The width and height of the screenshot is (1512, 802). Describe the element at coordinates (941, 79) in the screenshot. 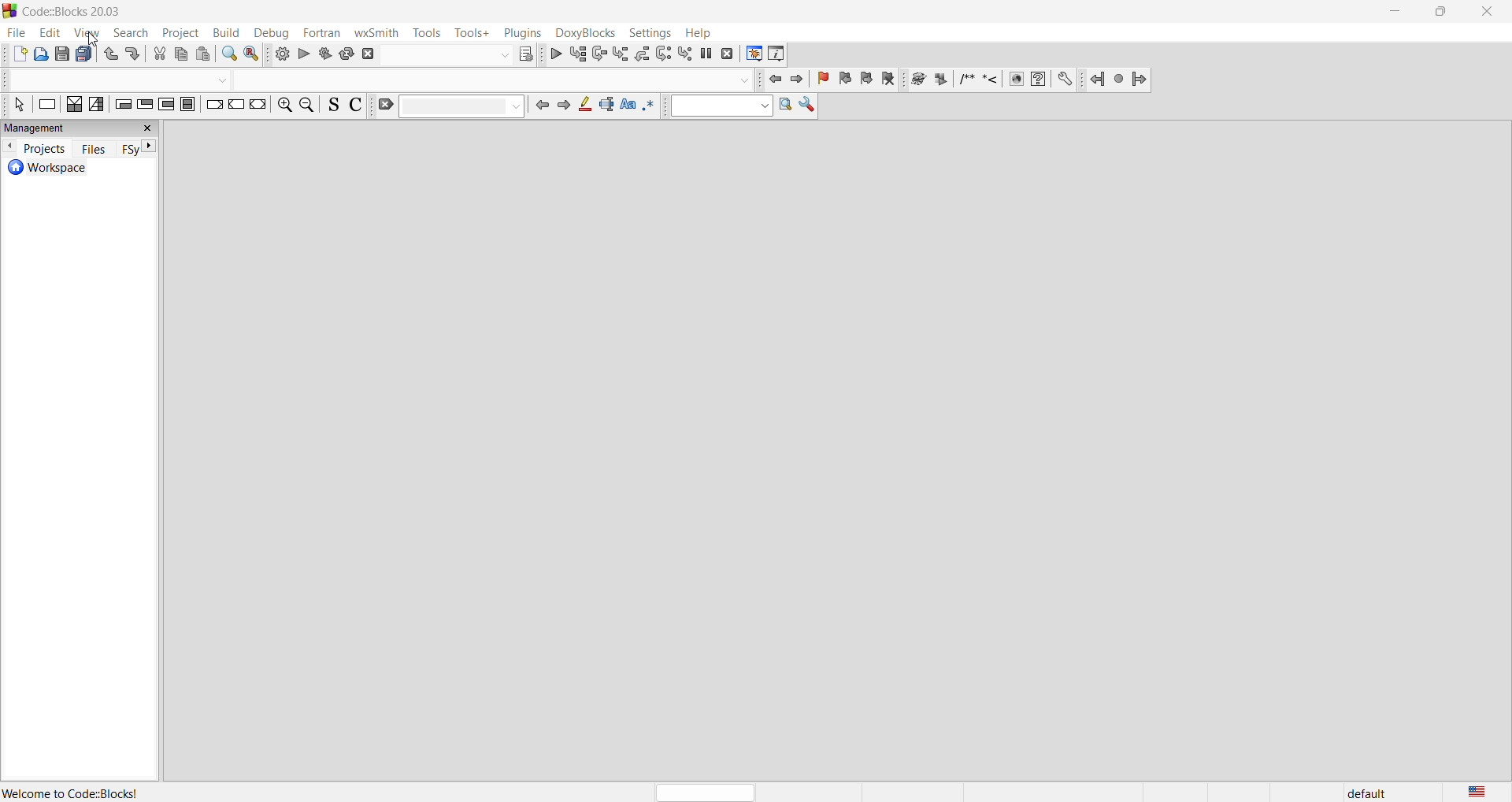

I see `Extract` at that location.